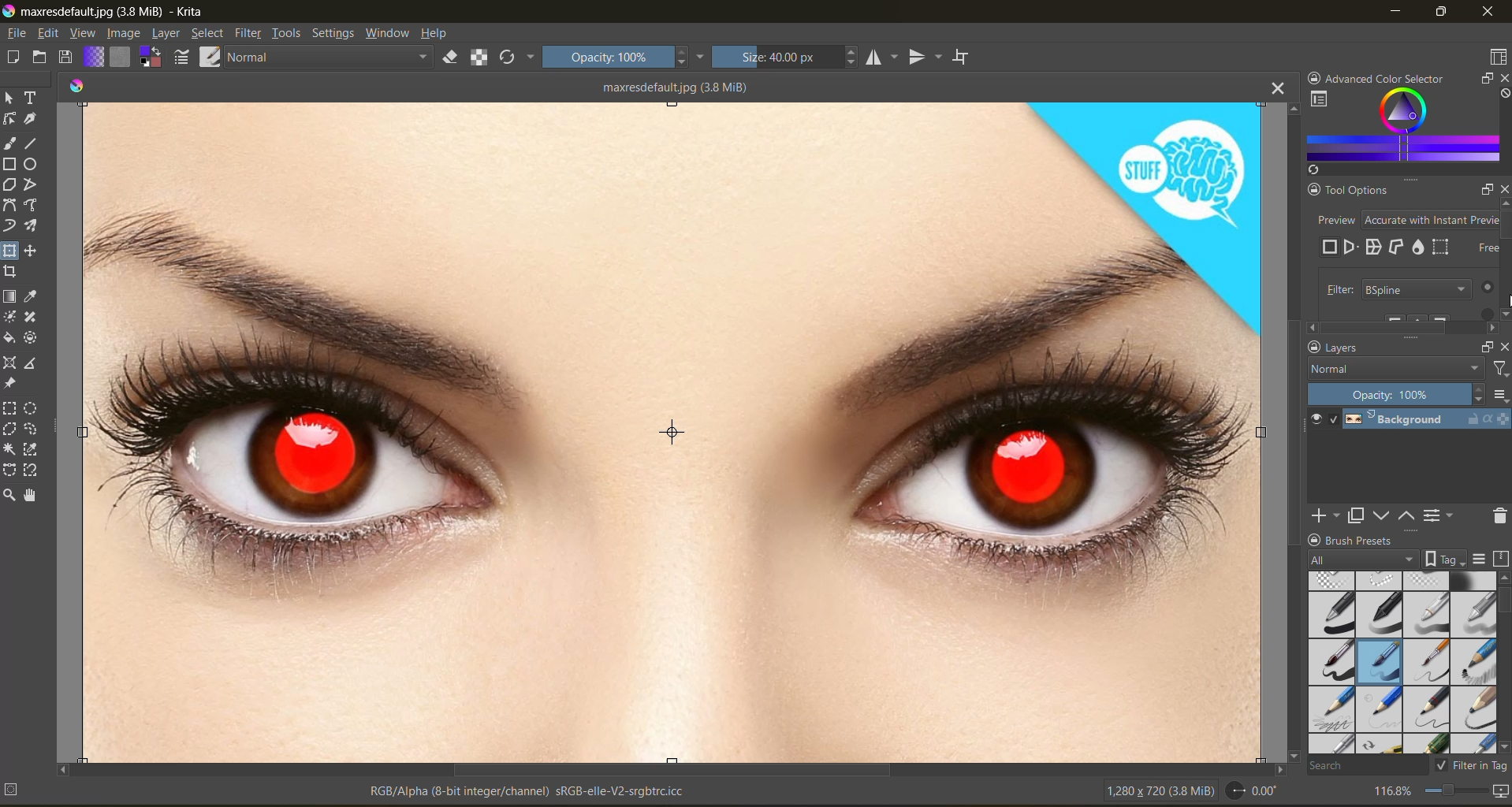 Image resolution: width=1512 pixels, height=807 pixels. I want to click on Advanced color selector, so click(1394, 76).